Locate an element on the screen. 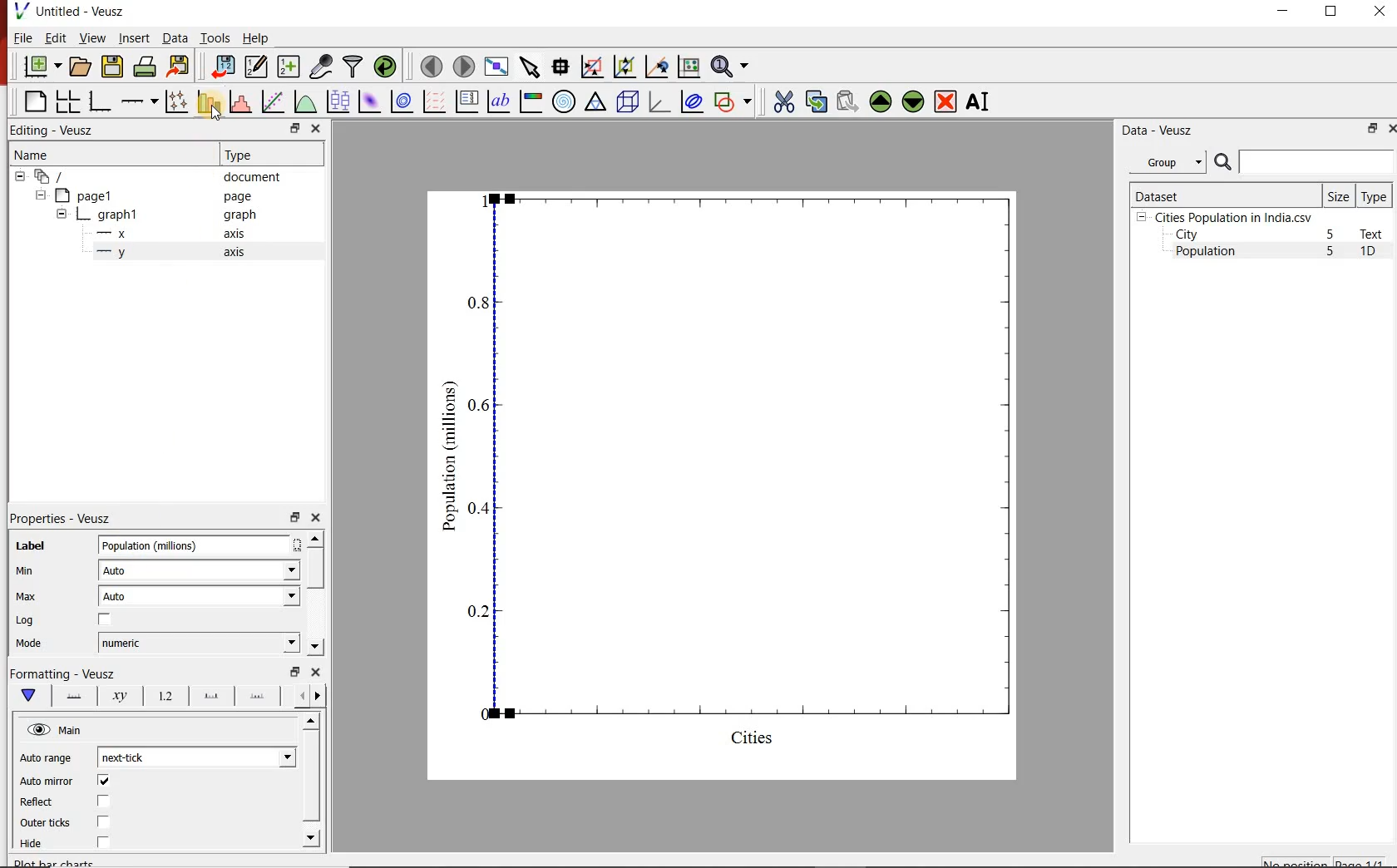 This screenshot has width=1397, height=868. Mode is located at coordinates (33, 644).